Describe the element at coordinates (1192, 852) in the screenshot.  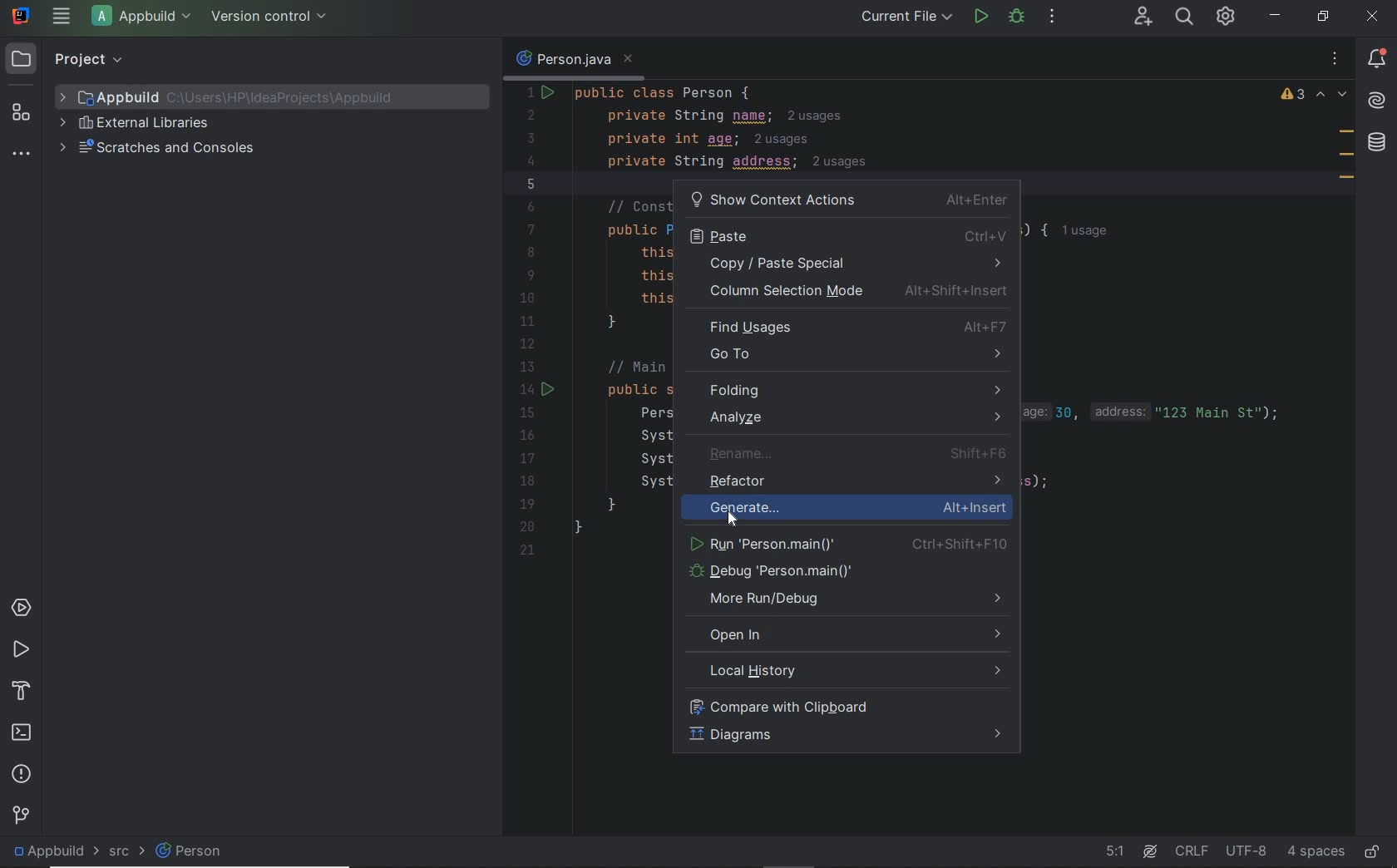
I see `line separator` at that location.